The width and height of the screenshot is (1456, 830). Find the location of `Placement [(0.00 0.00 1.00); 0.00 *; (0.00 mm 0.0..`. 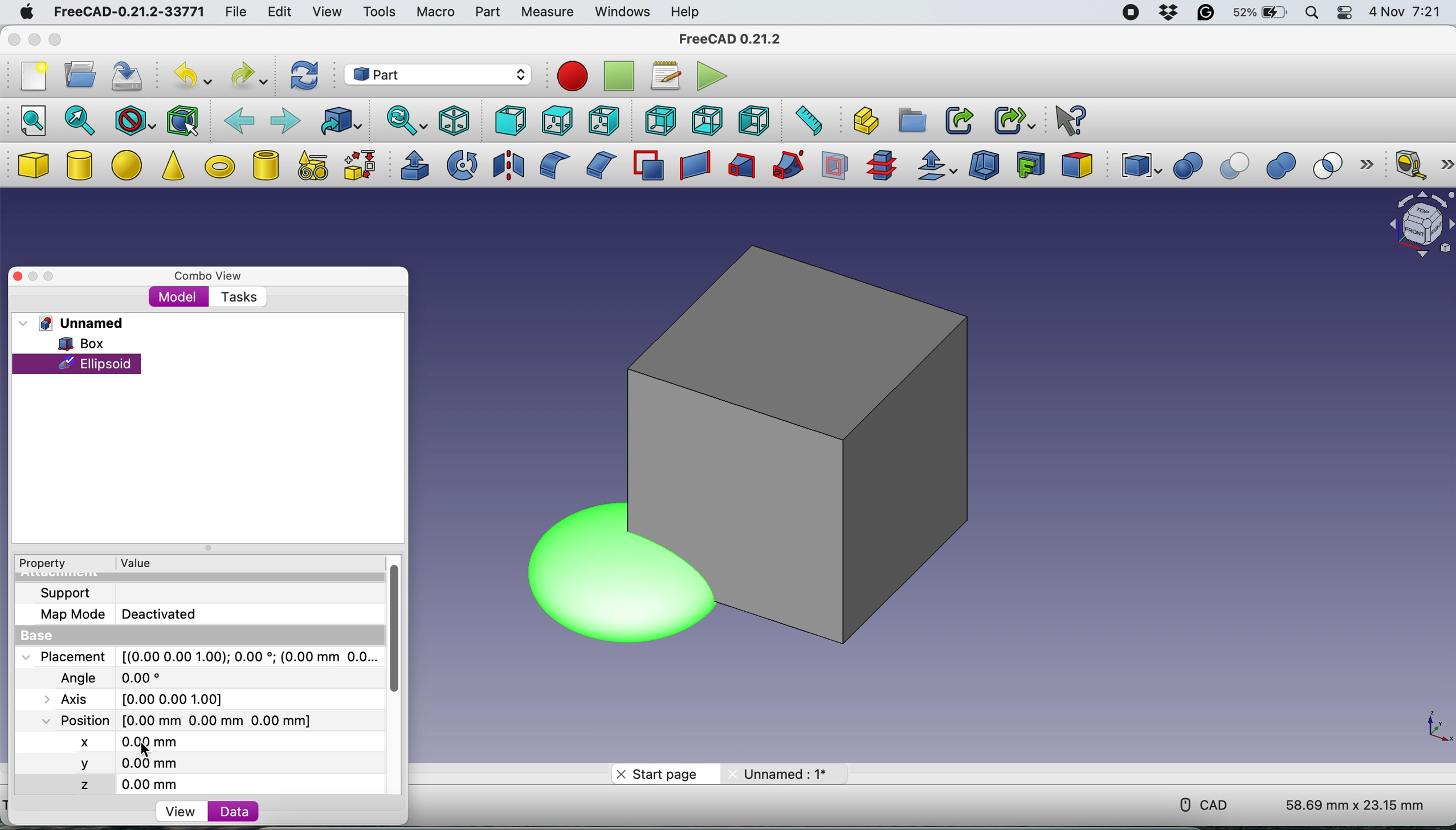

Placement [(0.00 0.00 1.00); 0.00 *; (0.00 mm 0.0.. is located at coordinates (197, 656).